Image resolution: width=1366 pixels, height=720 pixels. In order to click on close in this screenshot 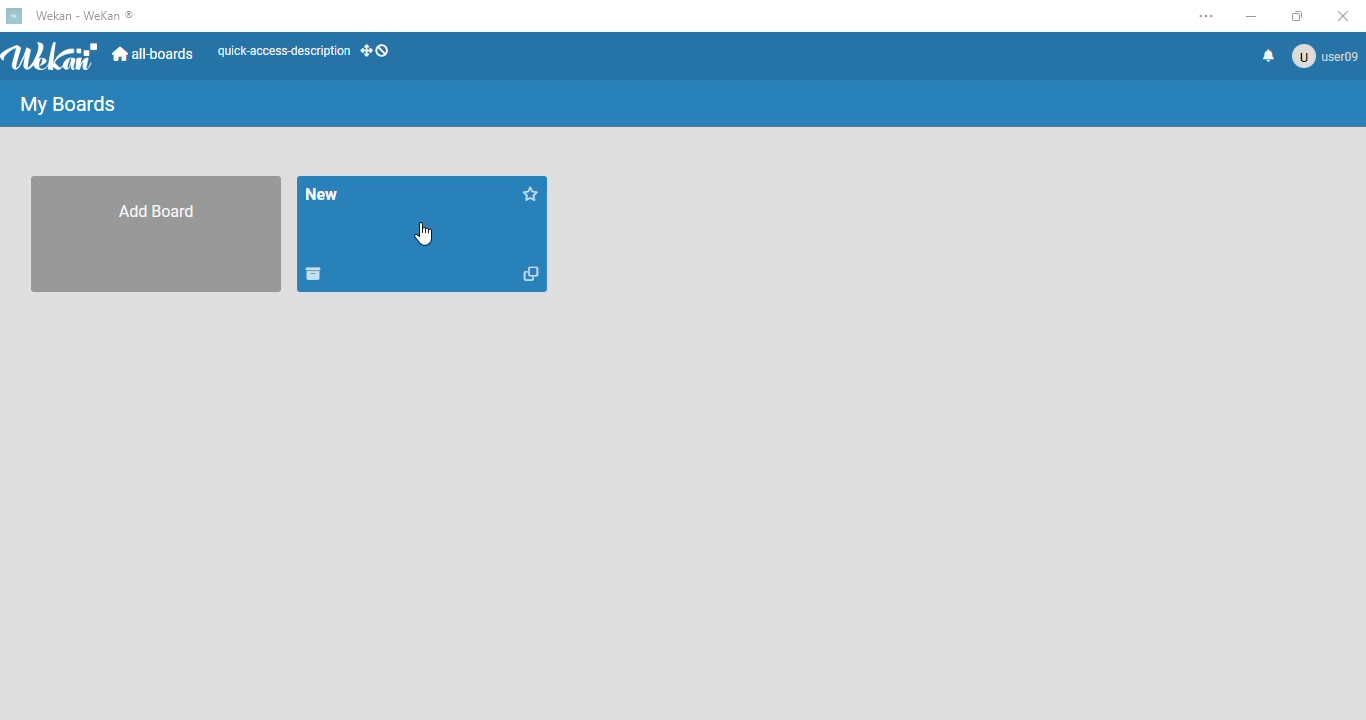, I will do `click(1343, 16)`.